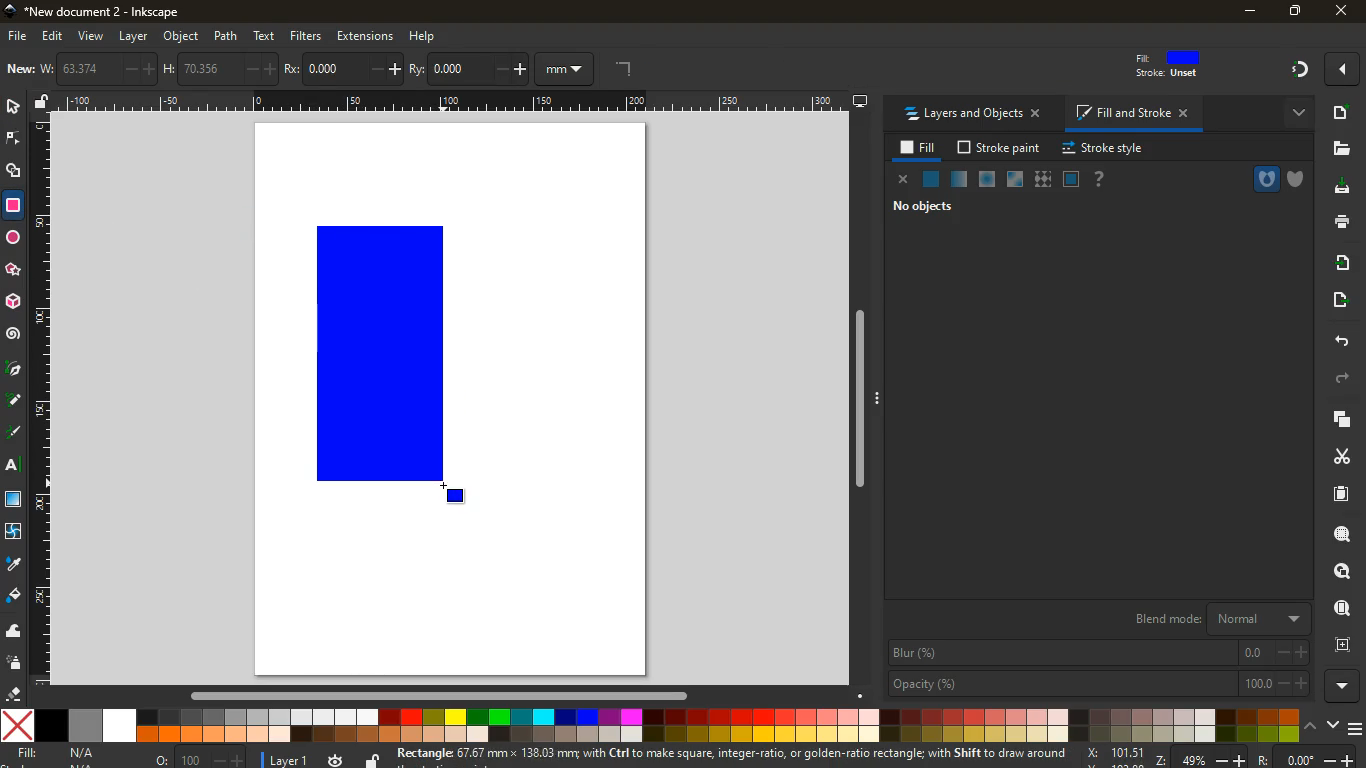 Image resolution: width=1366 pixels, height=768 pixels. What do you see at coordinates (1336, 494) in the screenshot?
I see `paper` at bounding box center [1336, 494].